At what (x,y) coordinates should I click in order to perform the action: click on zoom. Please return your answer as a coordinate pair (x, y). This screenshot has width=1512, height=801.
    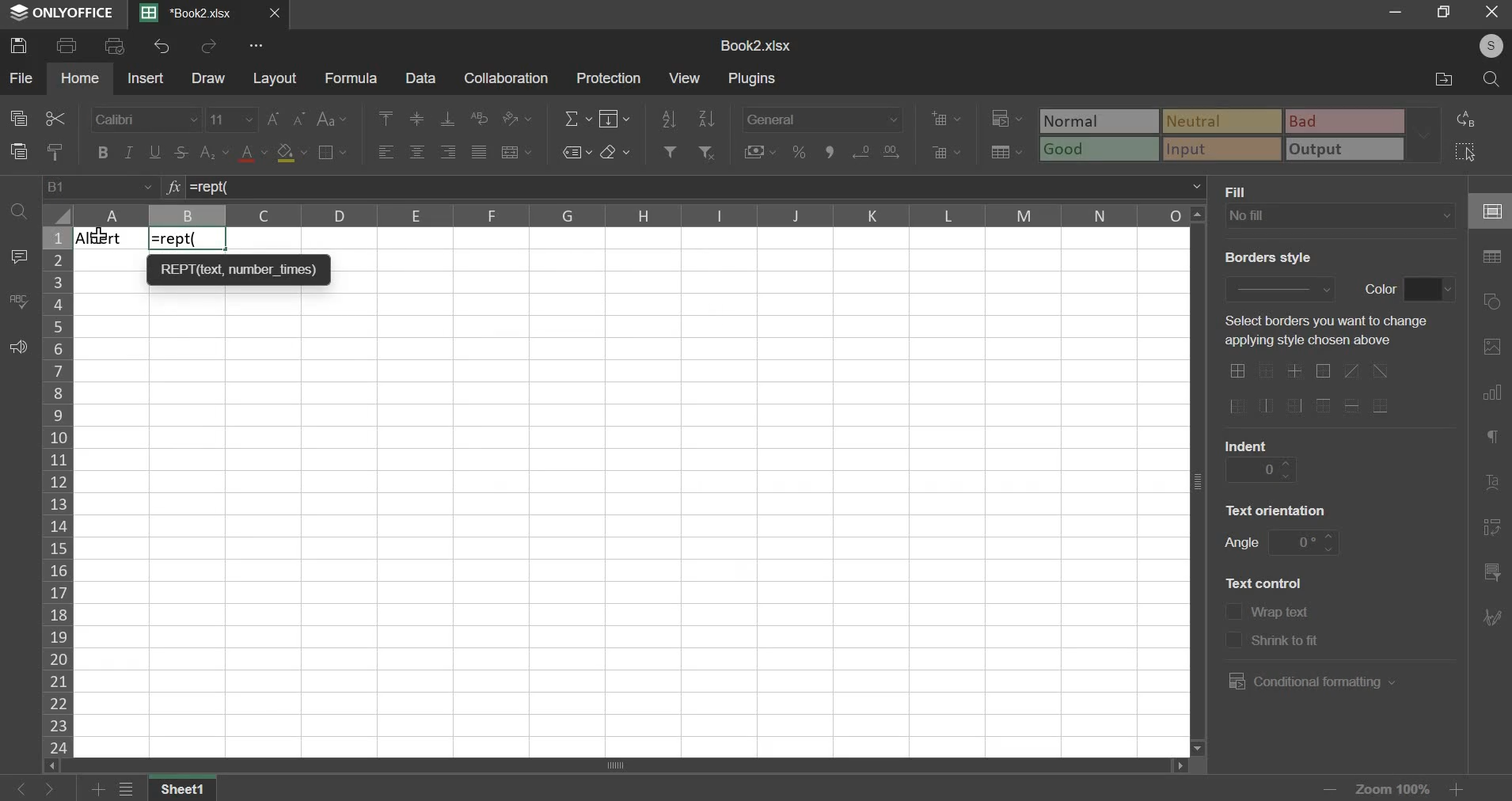
    Looking at the image, I should click on (1394, 788).